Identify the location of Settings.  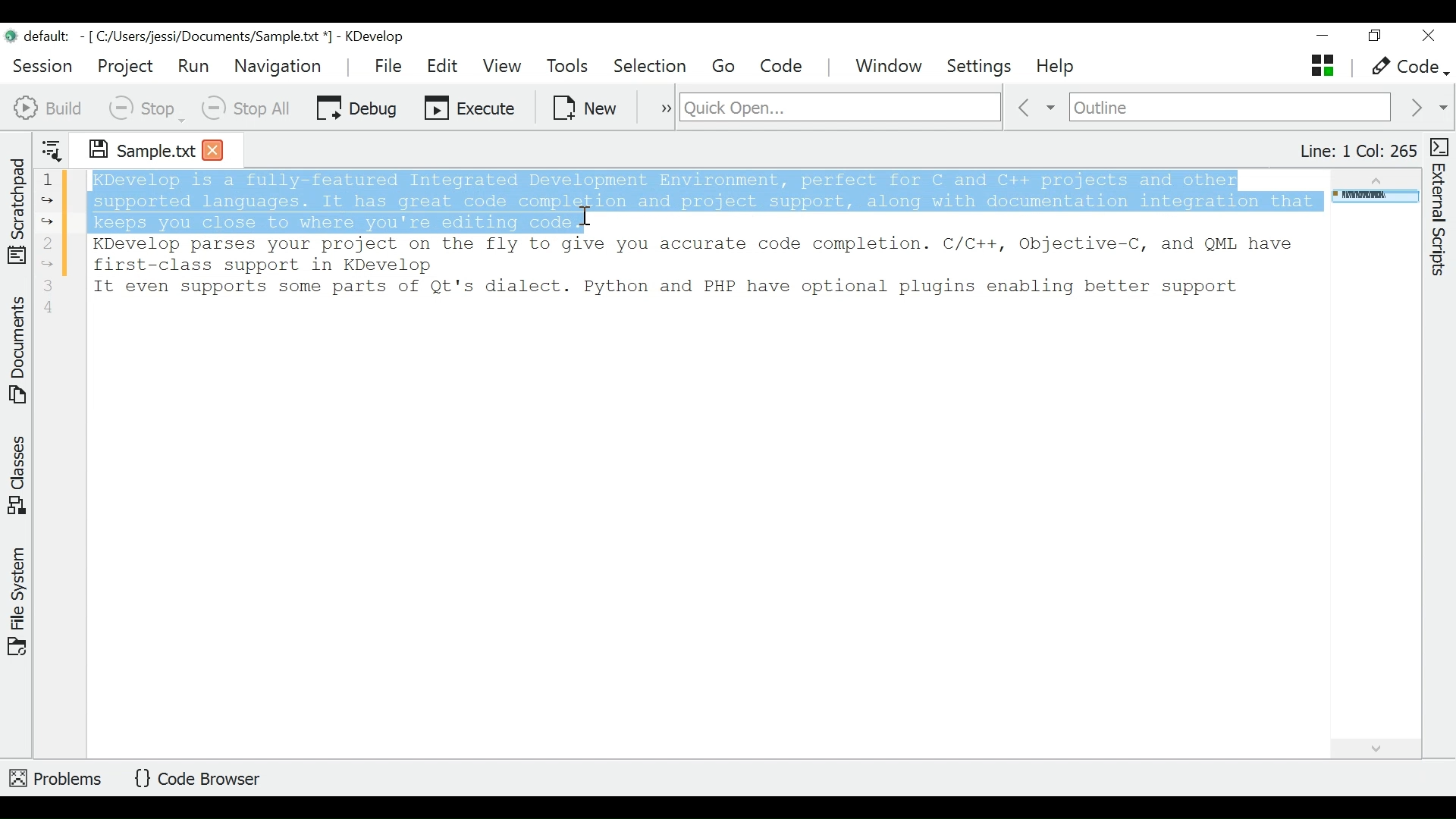
(984, 67).